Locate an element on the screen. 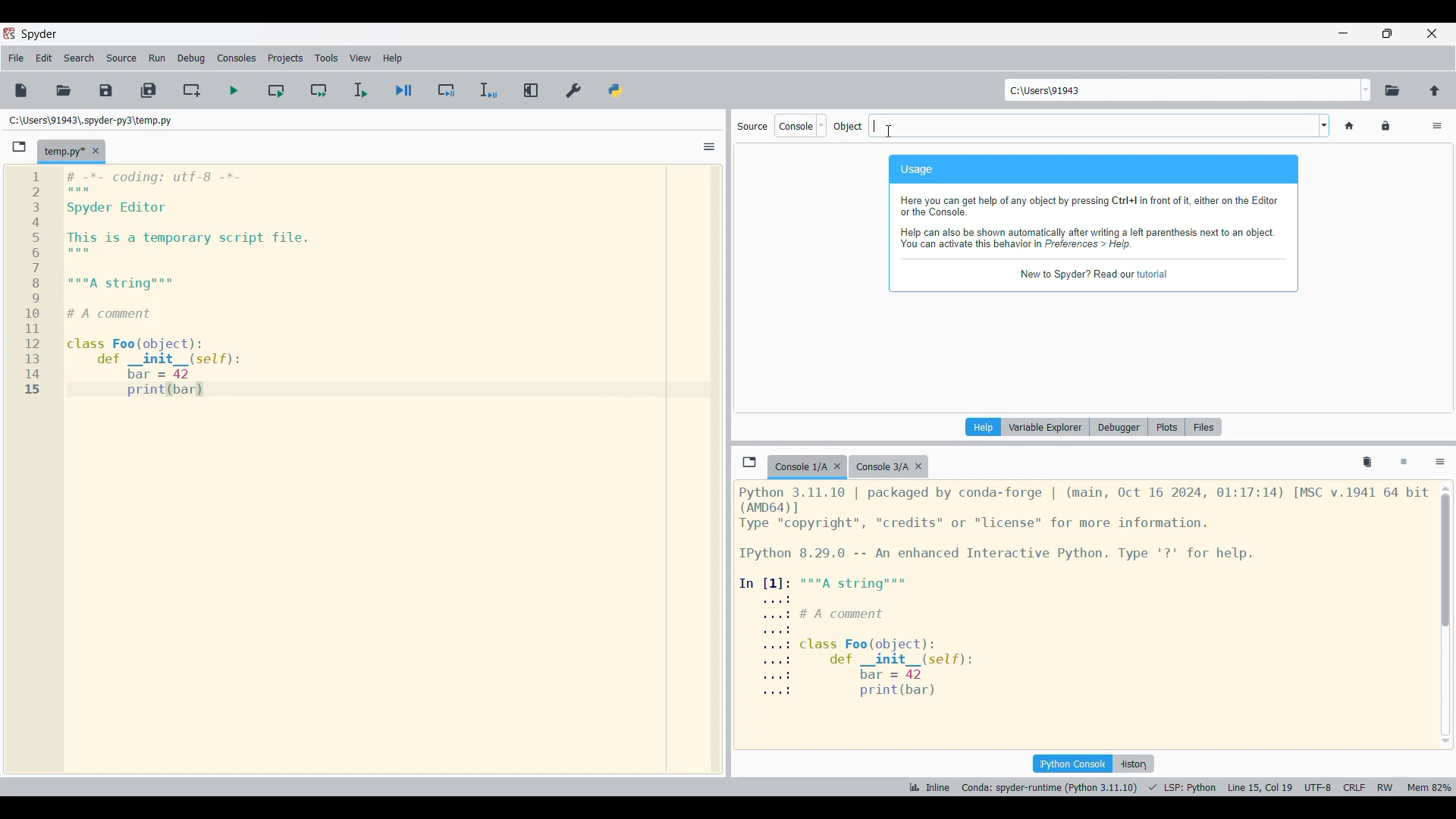 The width and height of the screenshot is (1456, 819). Files is located at coordinates (1203, 427).